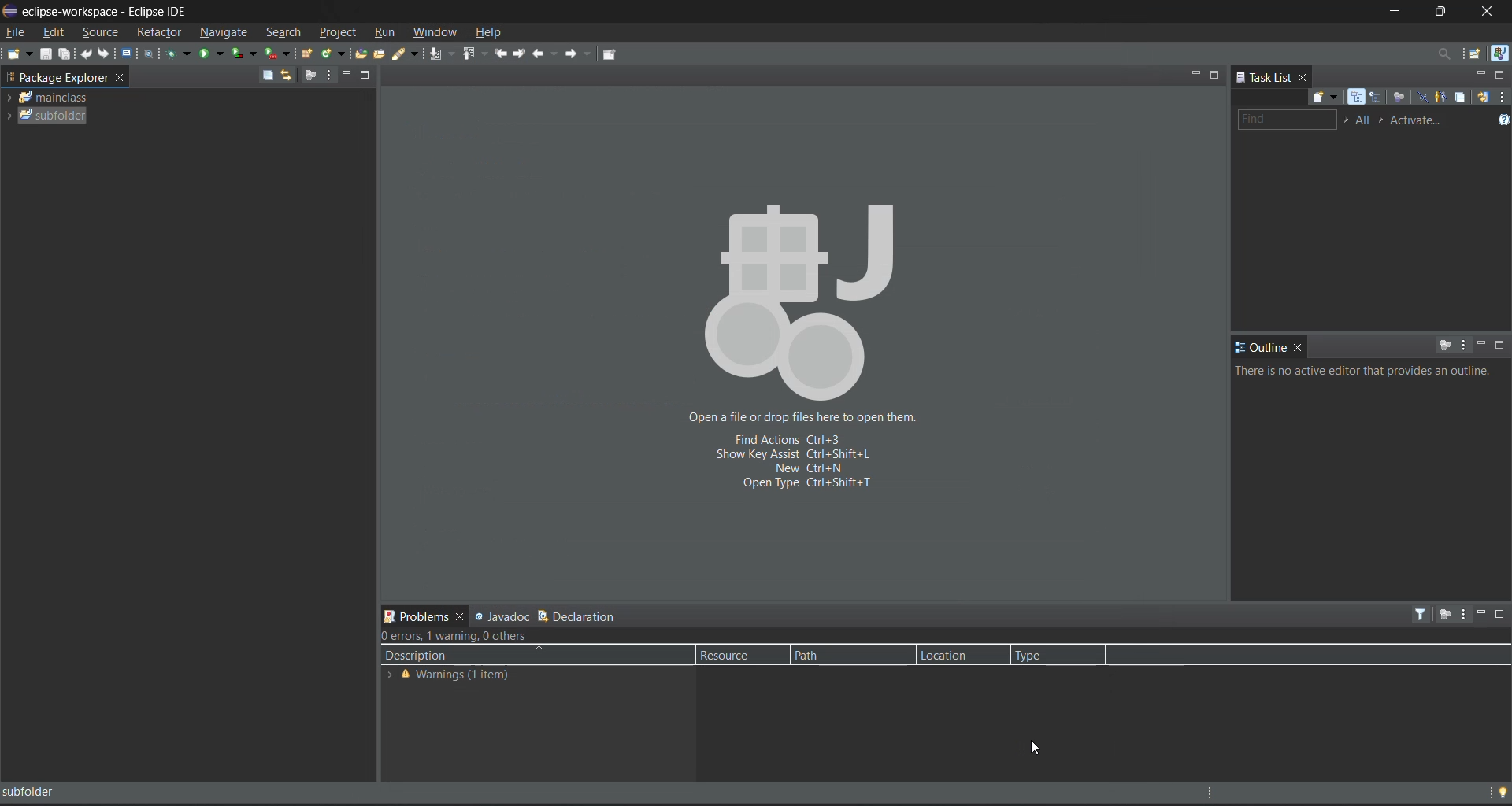 Image resolution: width=1512 pixels, height=806 pixels. I want to click on minimize, so click(1195, 73).